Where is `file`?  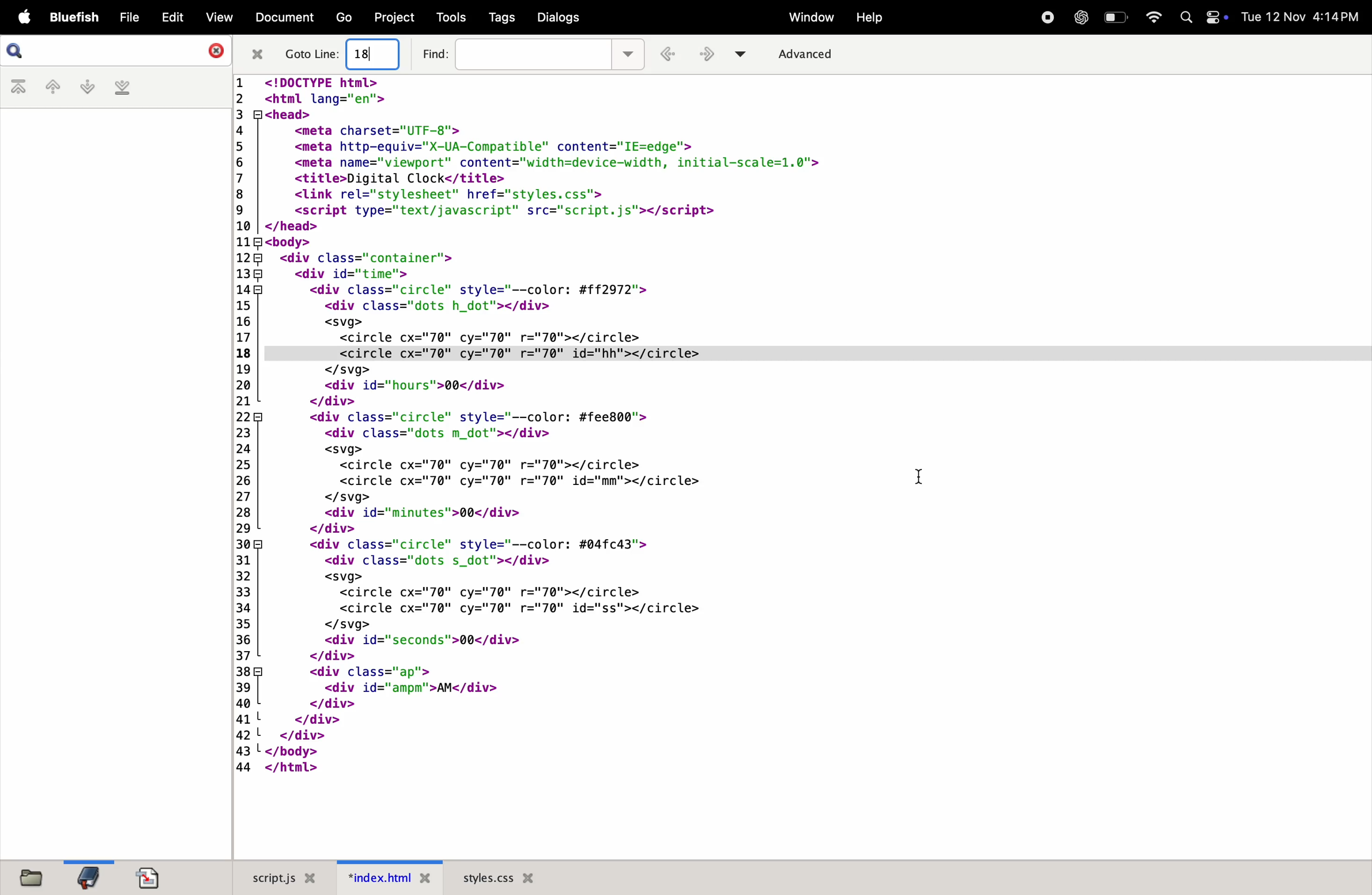 file is located at coordinates (36, 878).